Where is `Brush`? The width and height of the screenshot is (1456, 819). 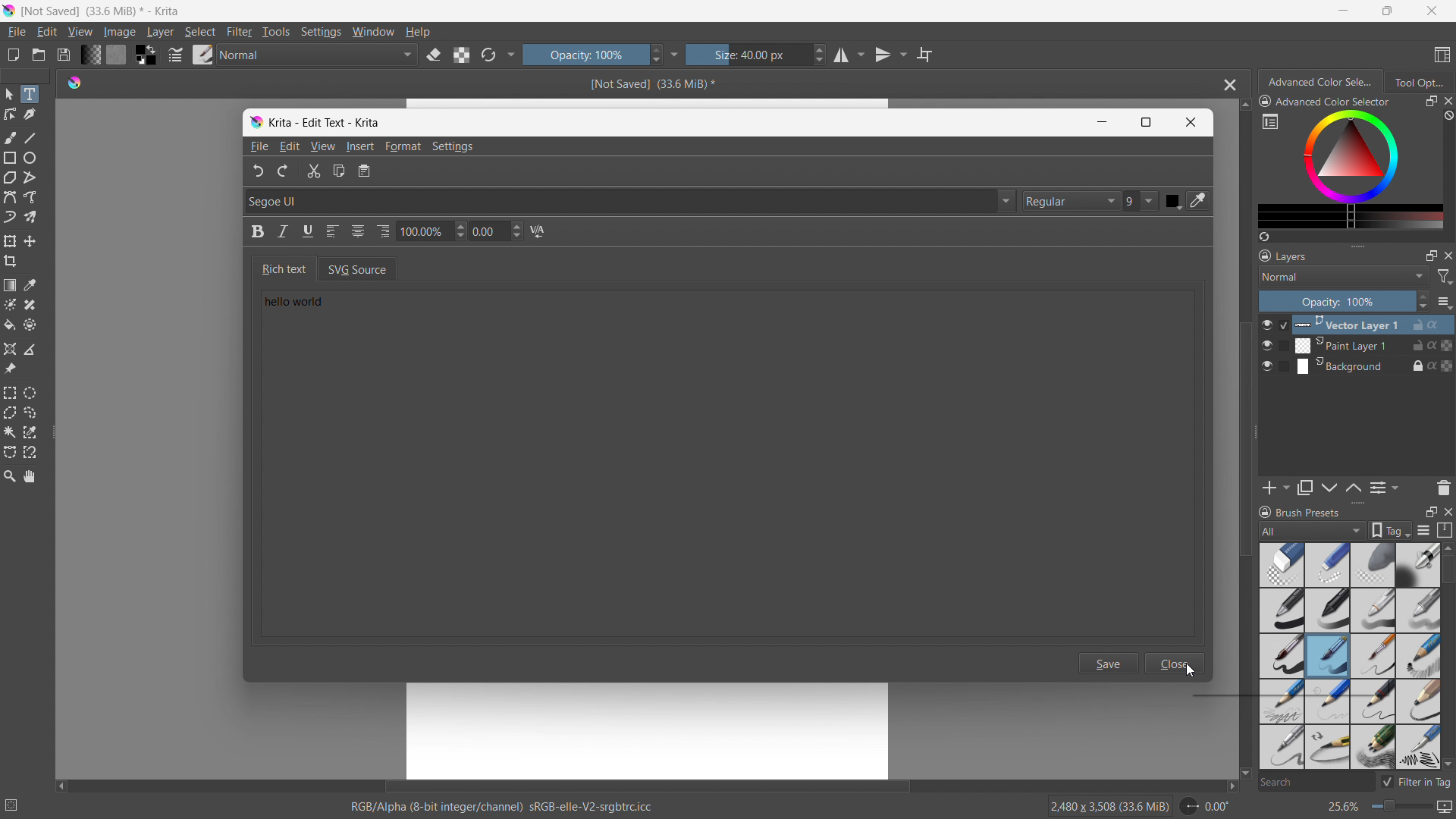
Brush is located at coordinates (1328, 656).